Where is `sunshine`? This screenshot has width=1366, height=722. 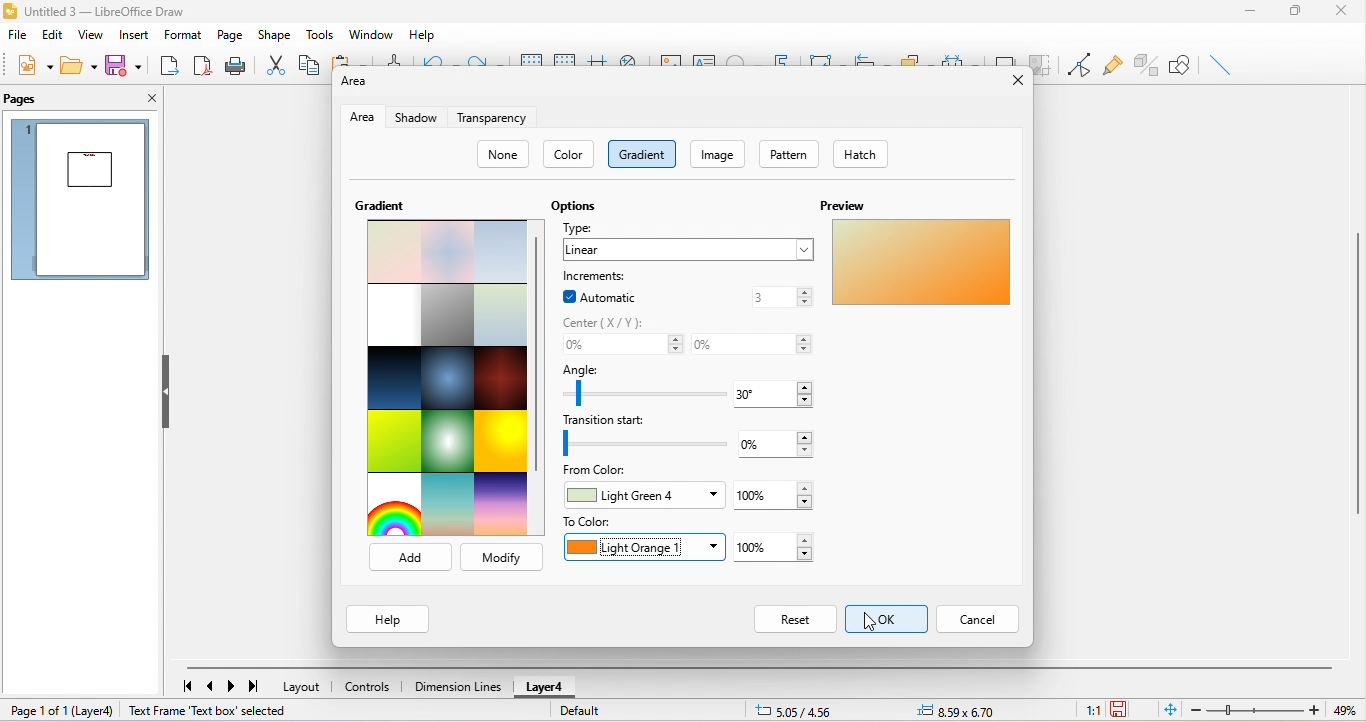
sunshine is located at coordinates (503, 443).